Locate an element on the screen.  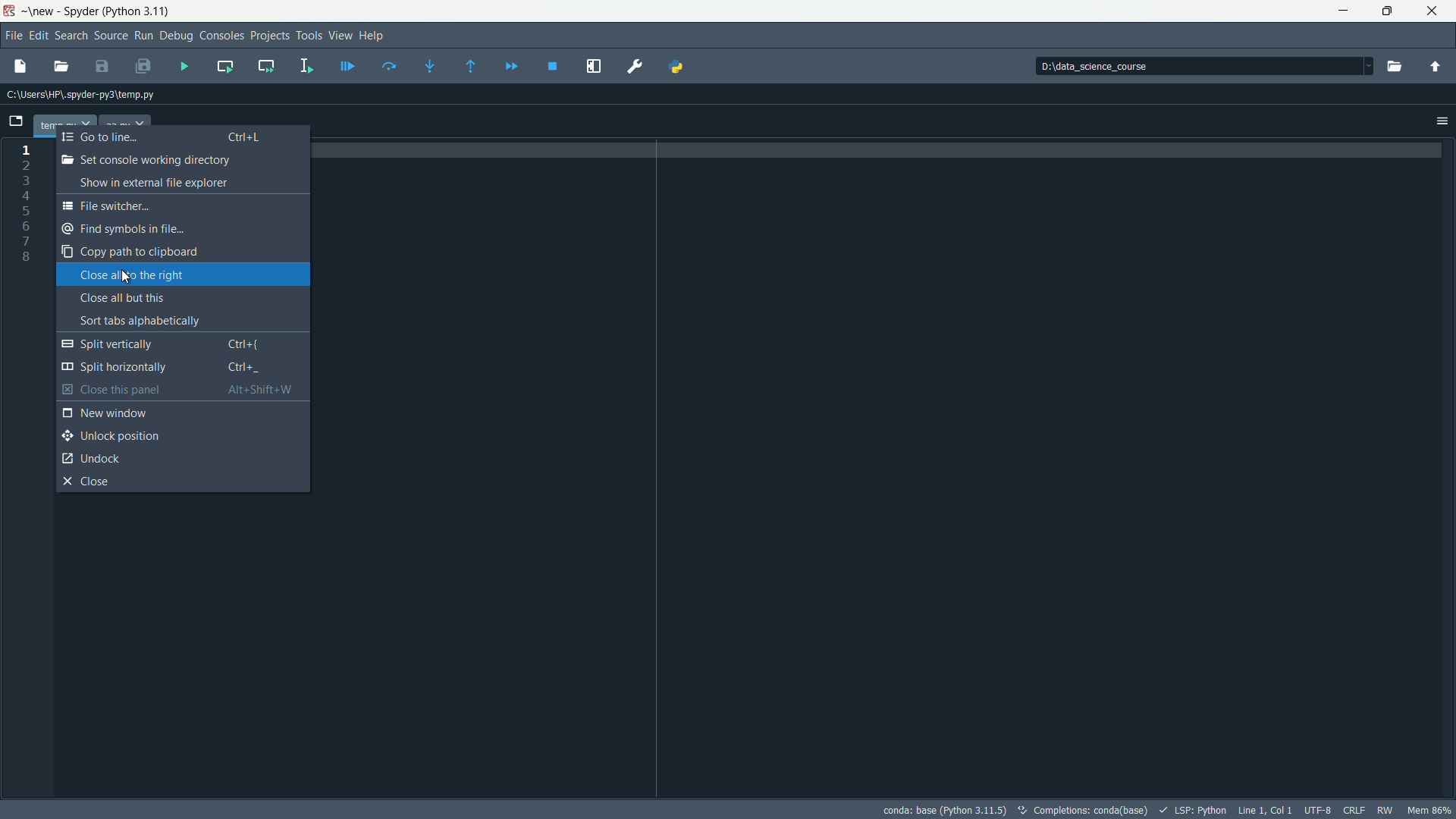
consoles menu is located at coordinates (221, 36).